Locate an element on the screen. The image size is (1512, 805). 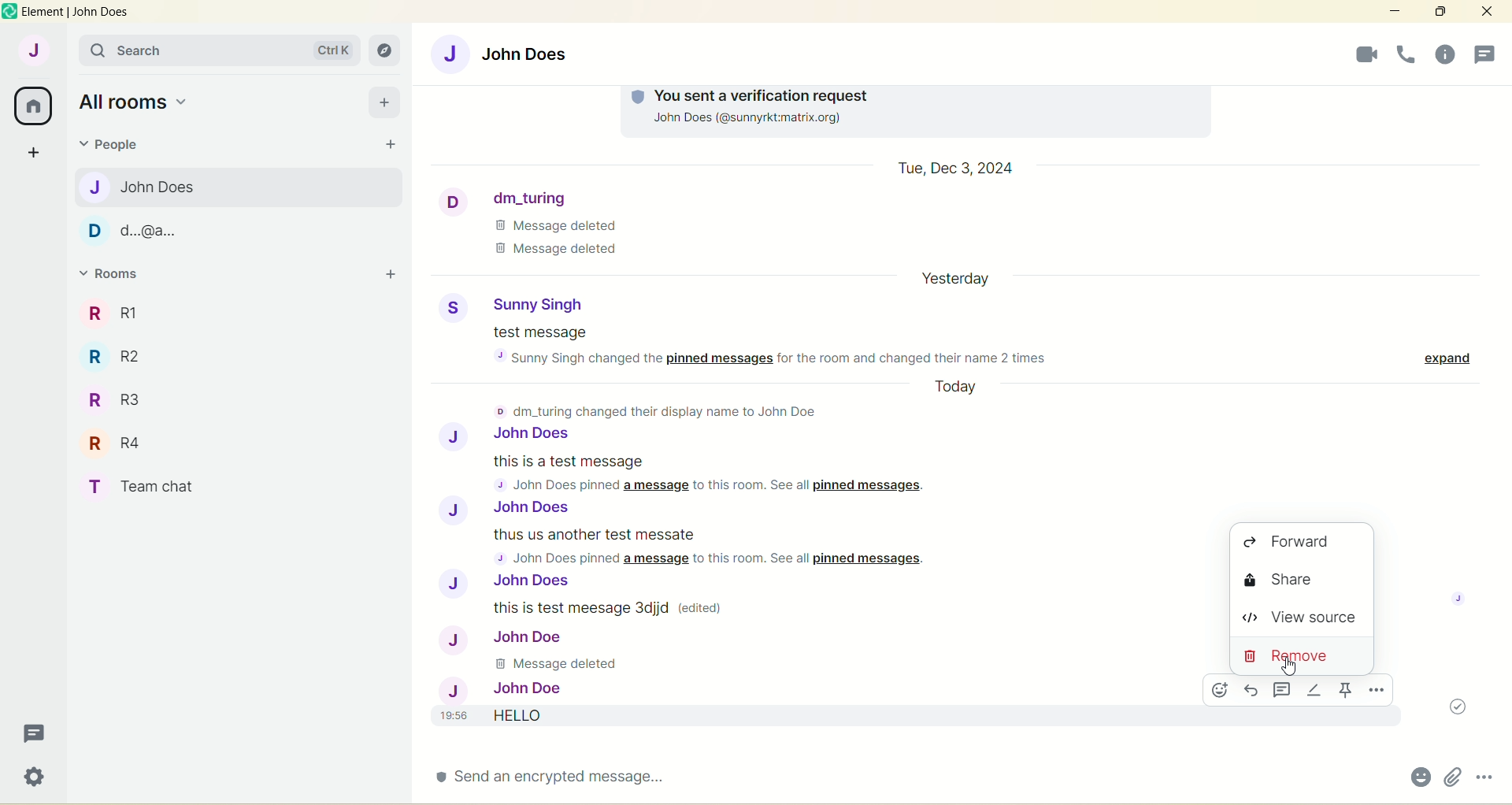
people is located at coordinates (1487, 53).